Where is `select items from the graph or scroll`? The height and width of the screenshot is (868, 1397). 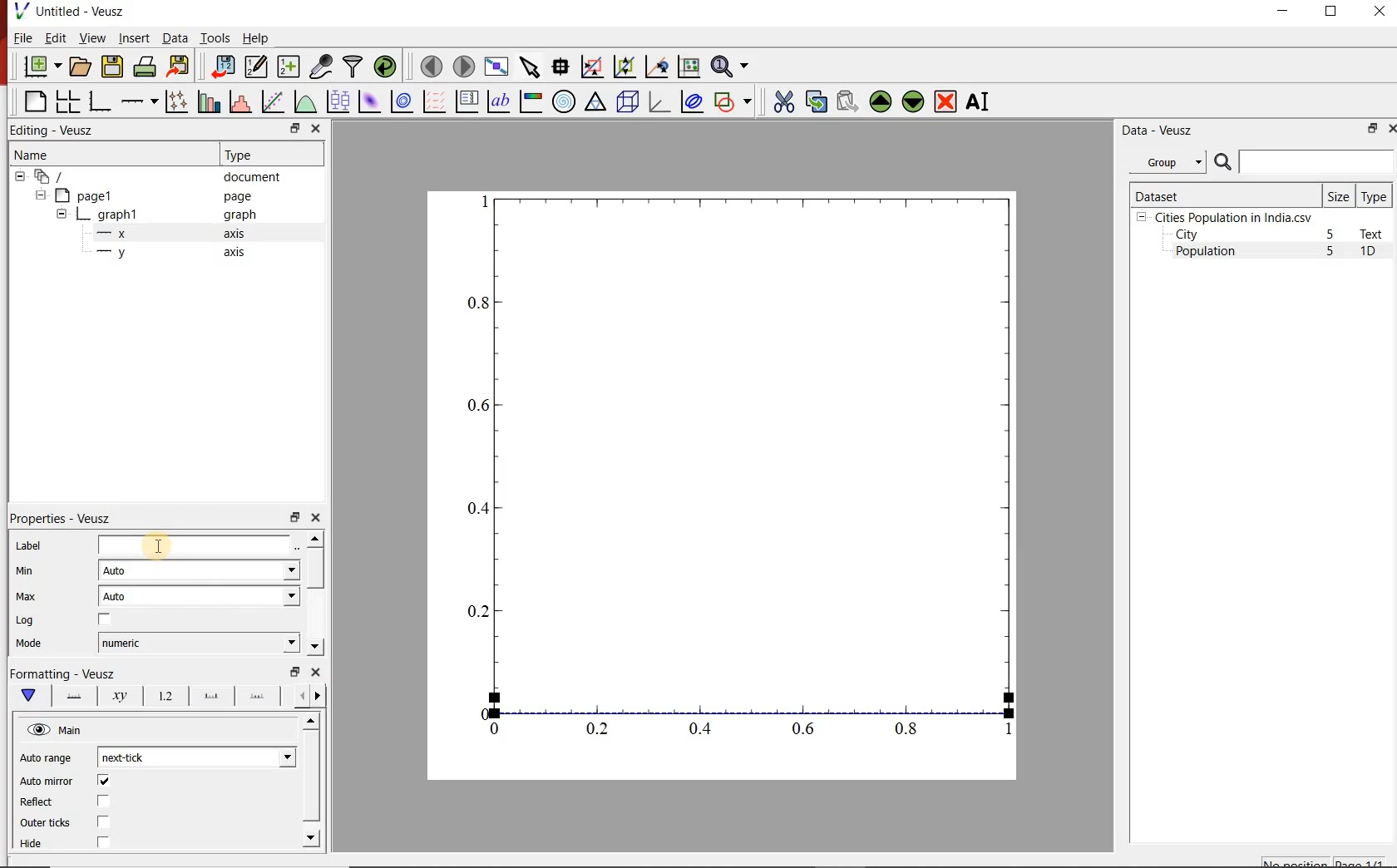 select items from the graph or scroll is located at coordinates (529, 66).